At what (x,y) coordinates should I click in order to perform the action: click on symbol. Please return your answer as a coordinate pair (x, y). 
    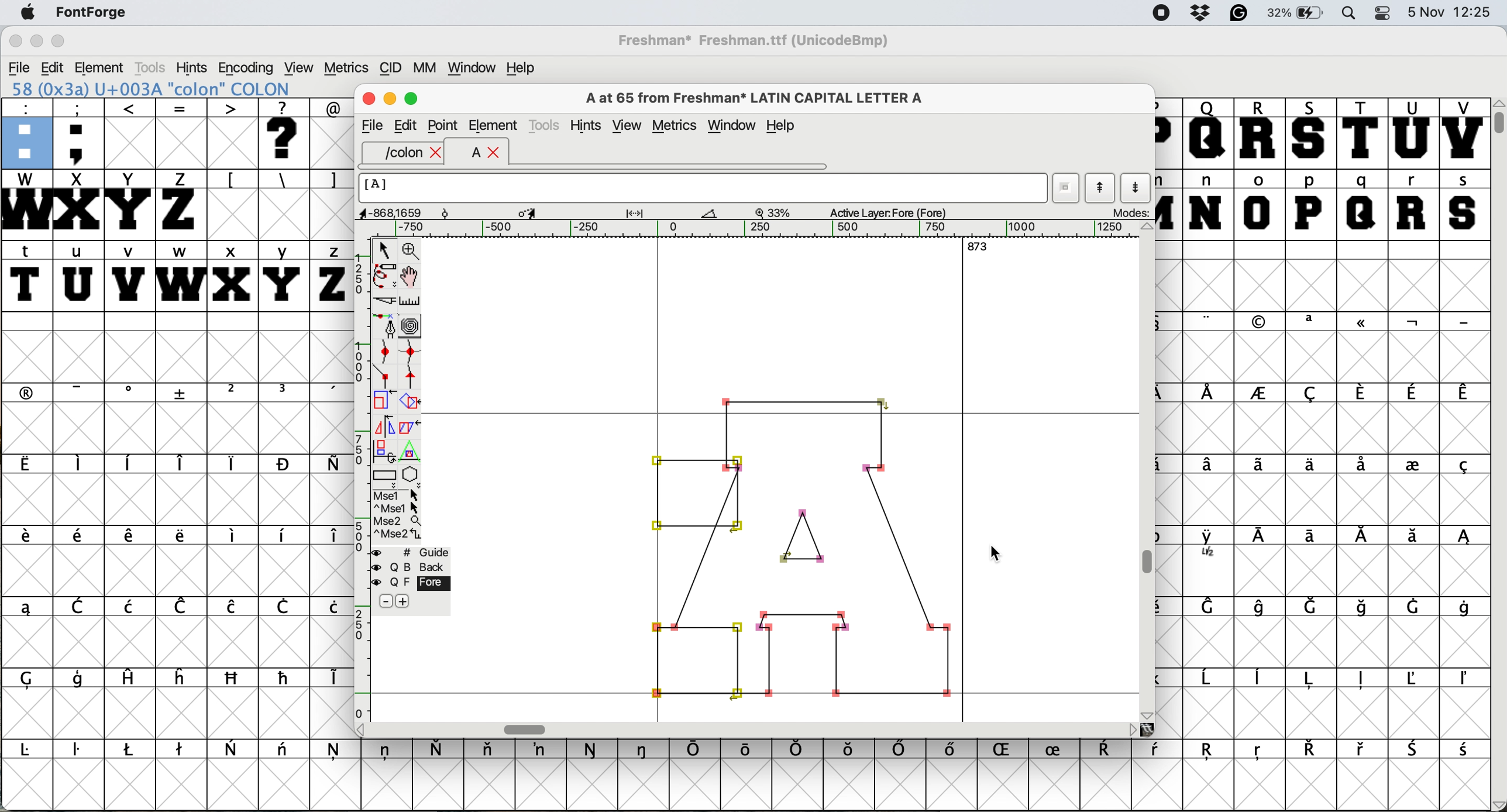
    Looking at the image, I should click on (1363, 466).